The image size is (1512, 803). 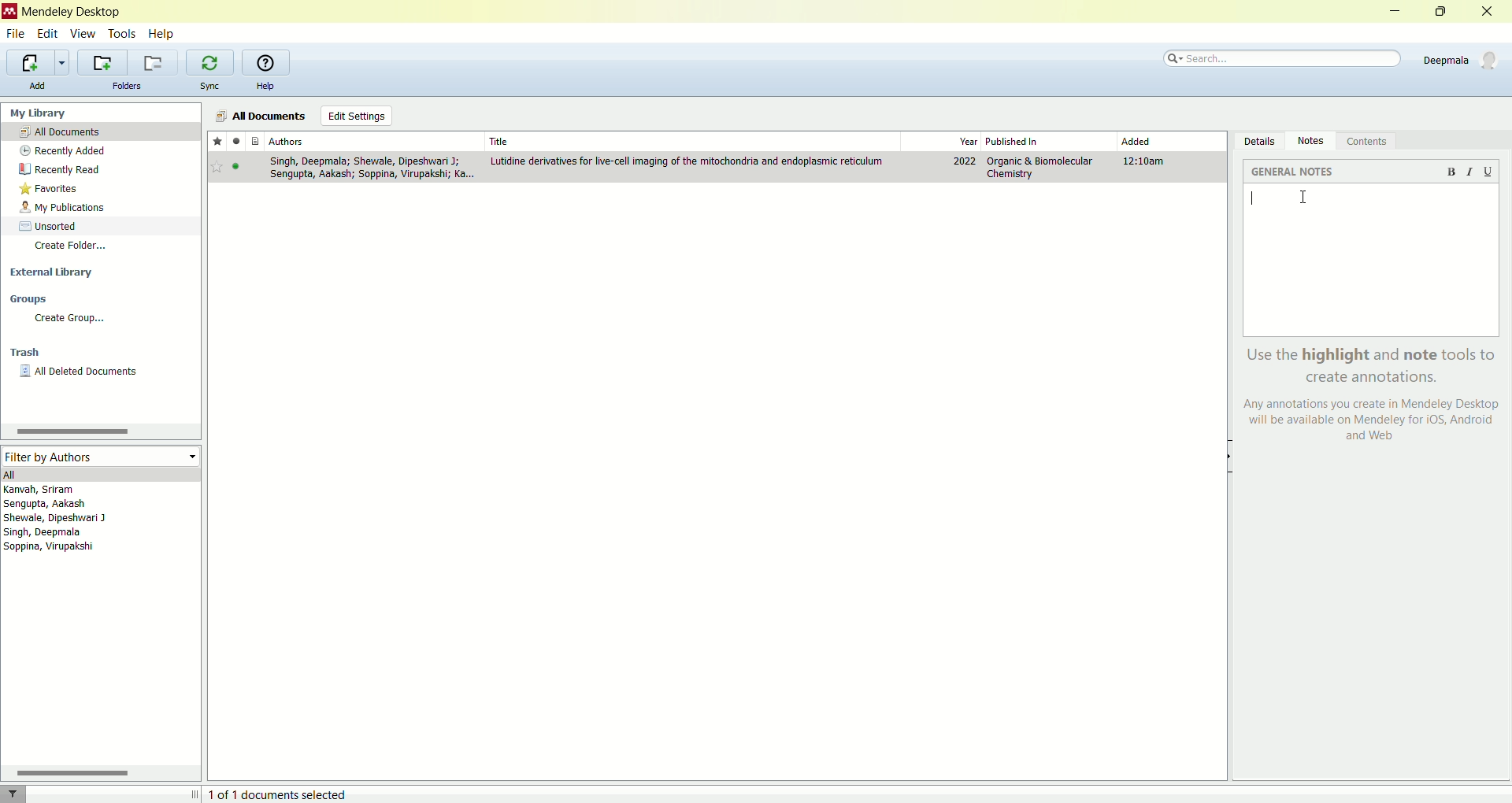 I want to click on filter documents by authors, tags or publication, so click(x=23, y=794).